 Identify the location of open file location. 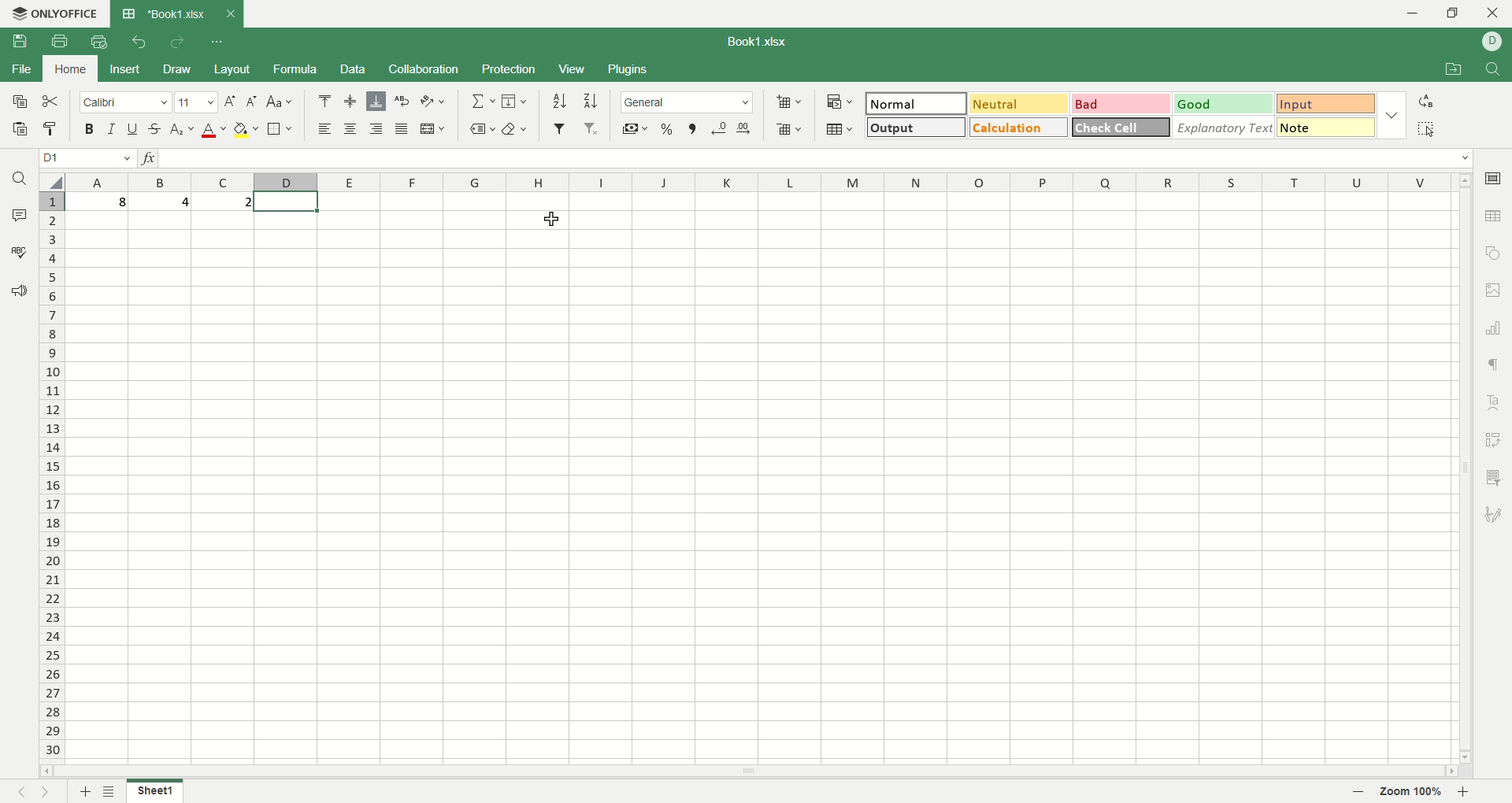
(1458, 68).